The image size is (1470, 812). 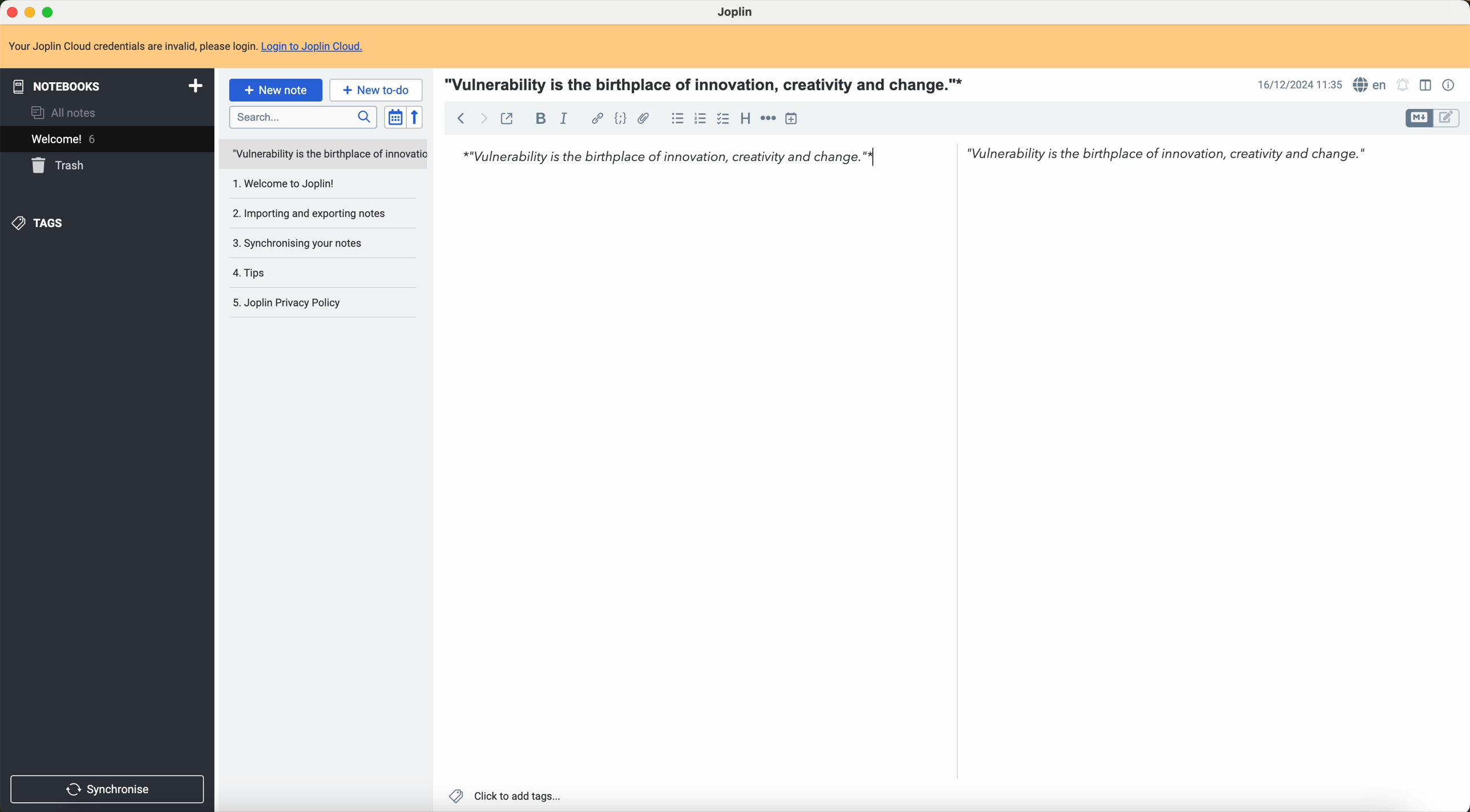 I want to click on hyperlink, so click(x=595, y=117).